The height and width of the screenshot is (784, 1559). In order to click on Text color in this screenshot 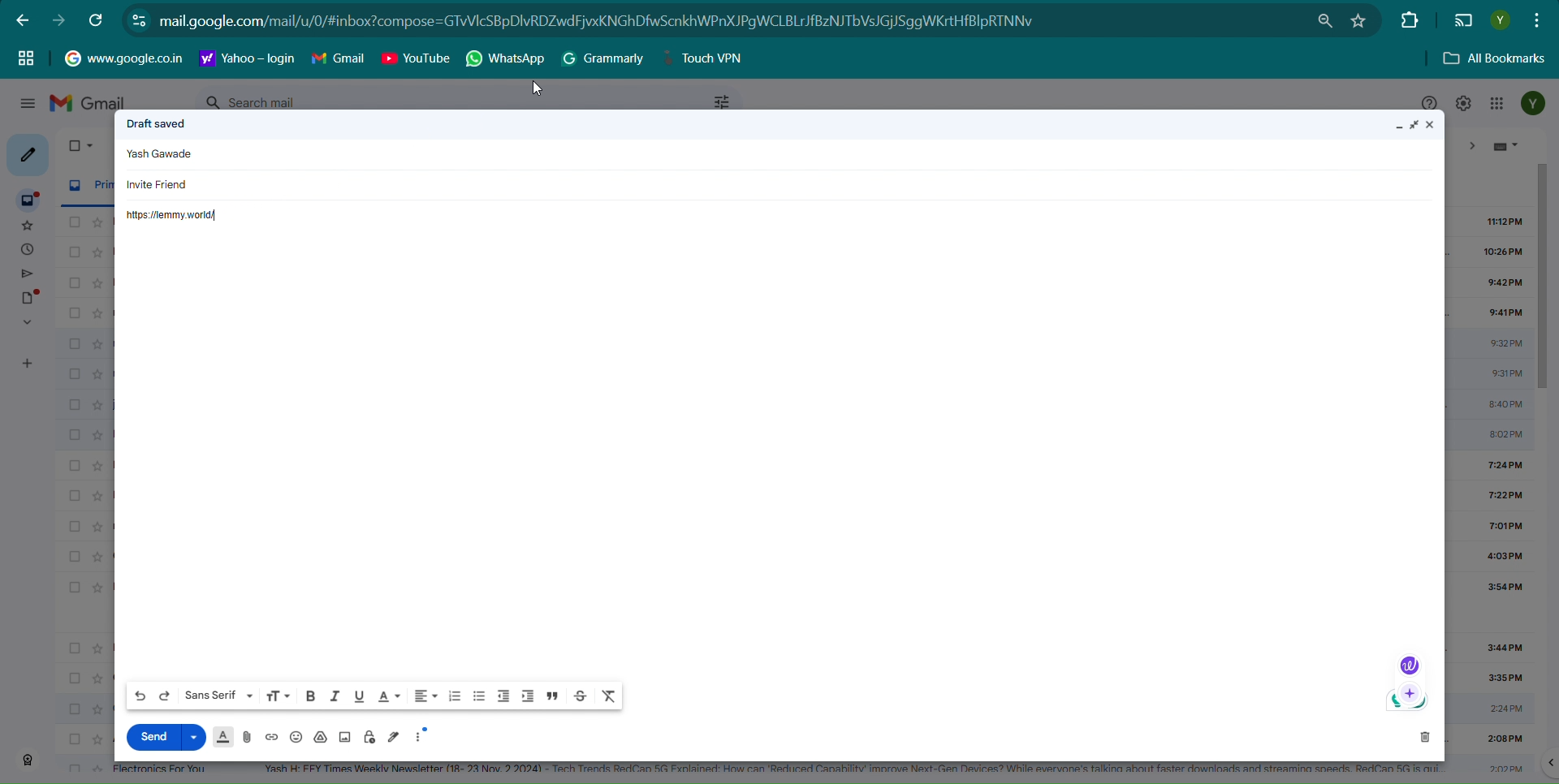, I will do `click(388, 696)`.